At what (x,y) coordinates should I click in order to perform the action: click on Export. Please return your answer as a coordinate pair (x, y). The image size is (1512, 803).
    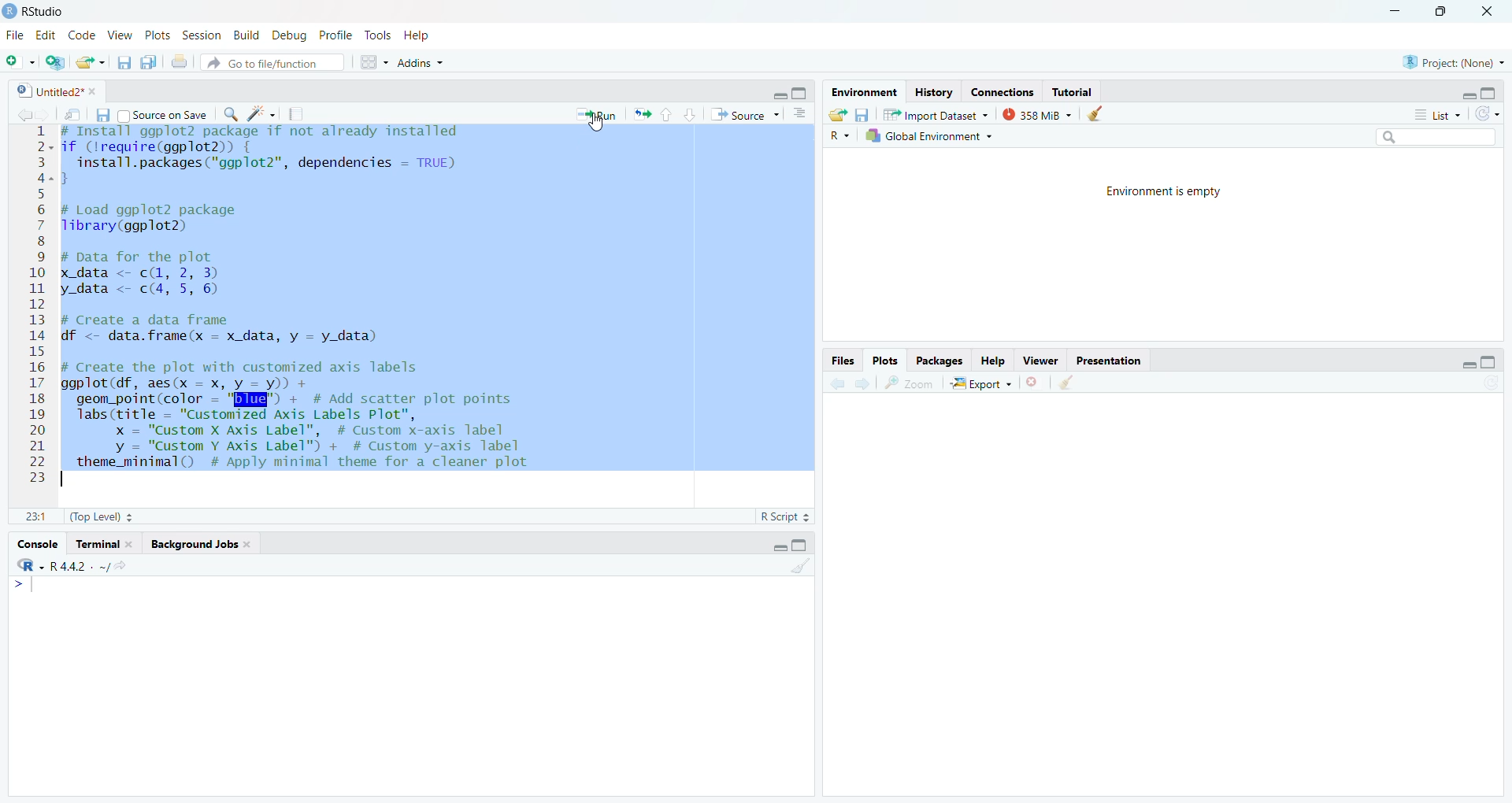
    Looking at the image, I should click on (984, 385).